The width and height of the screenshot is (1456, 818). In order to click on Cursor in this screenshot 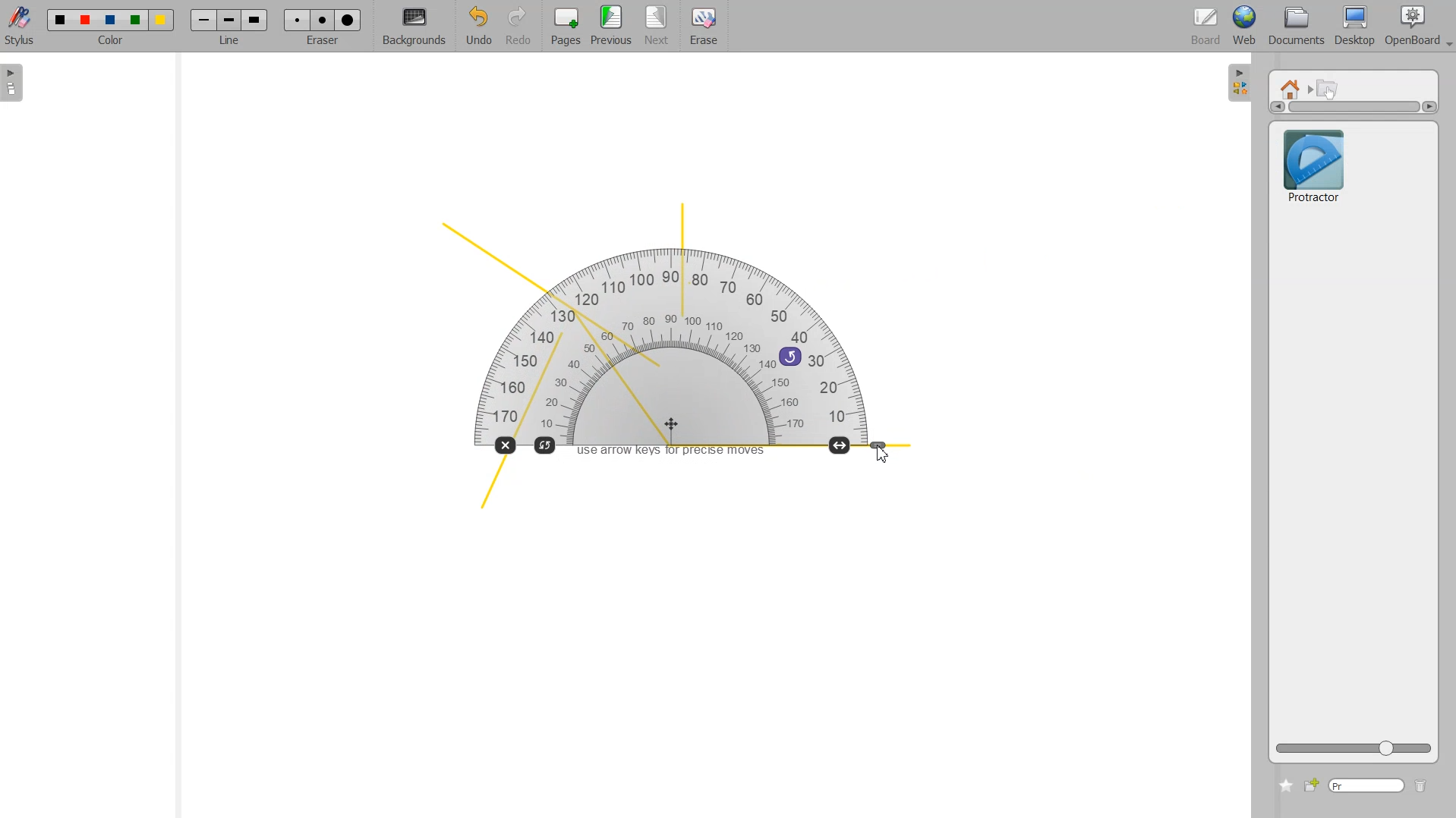, I will do `click(884, 455)`.